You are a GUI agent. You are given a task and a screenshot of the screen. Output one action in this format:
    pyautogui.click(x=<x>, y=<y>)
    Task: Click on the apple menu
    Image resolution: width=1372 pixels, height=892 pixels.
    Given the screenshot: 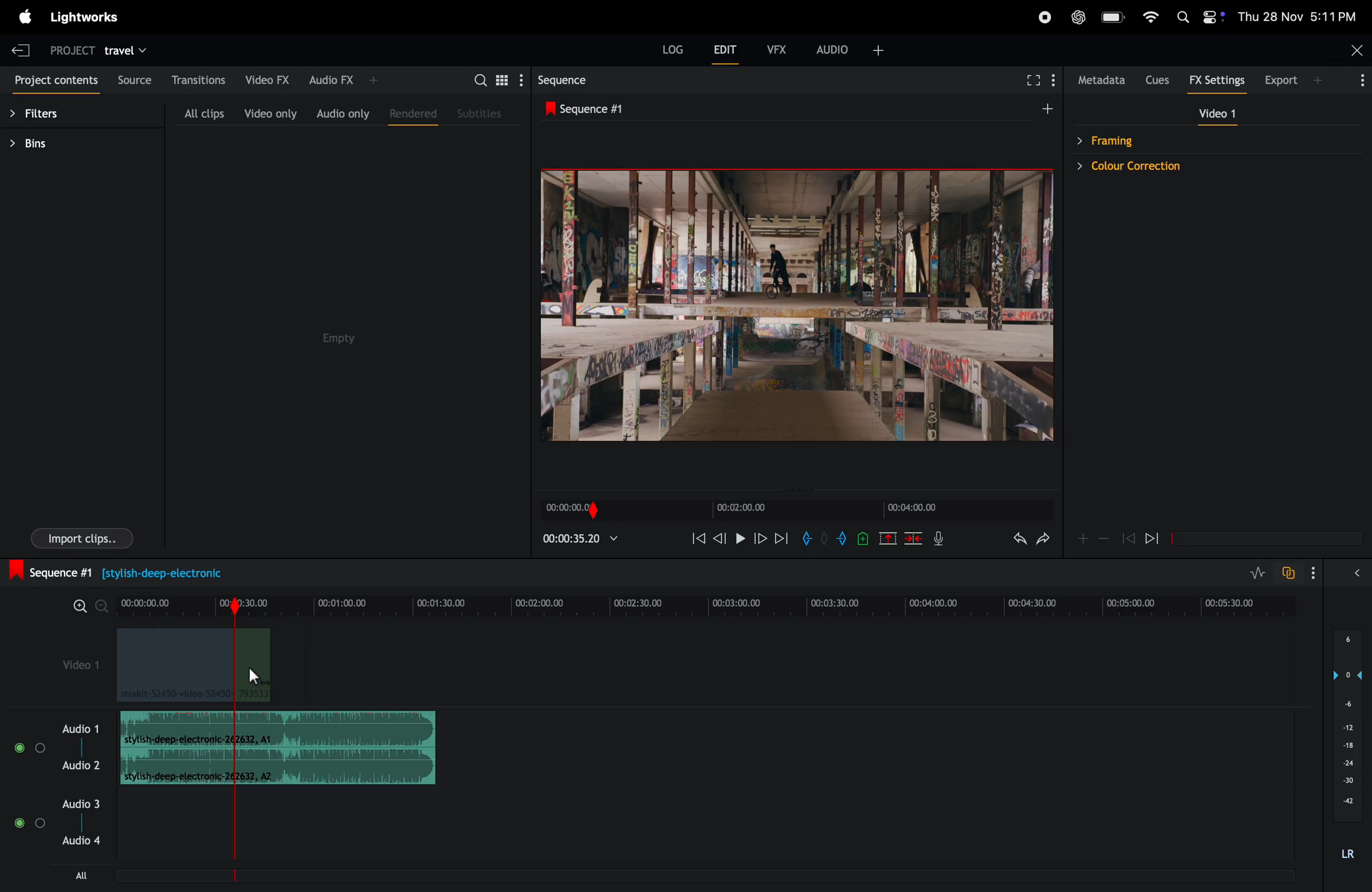 What is the action you would take?
    pyautogui.click(x=24, y=16)
    